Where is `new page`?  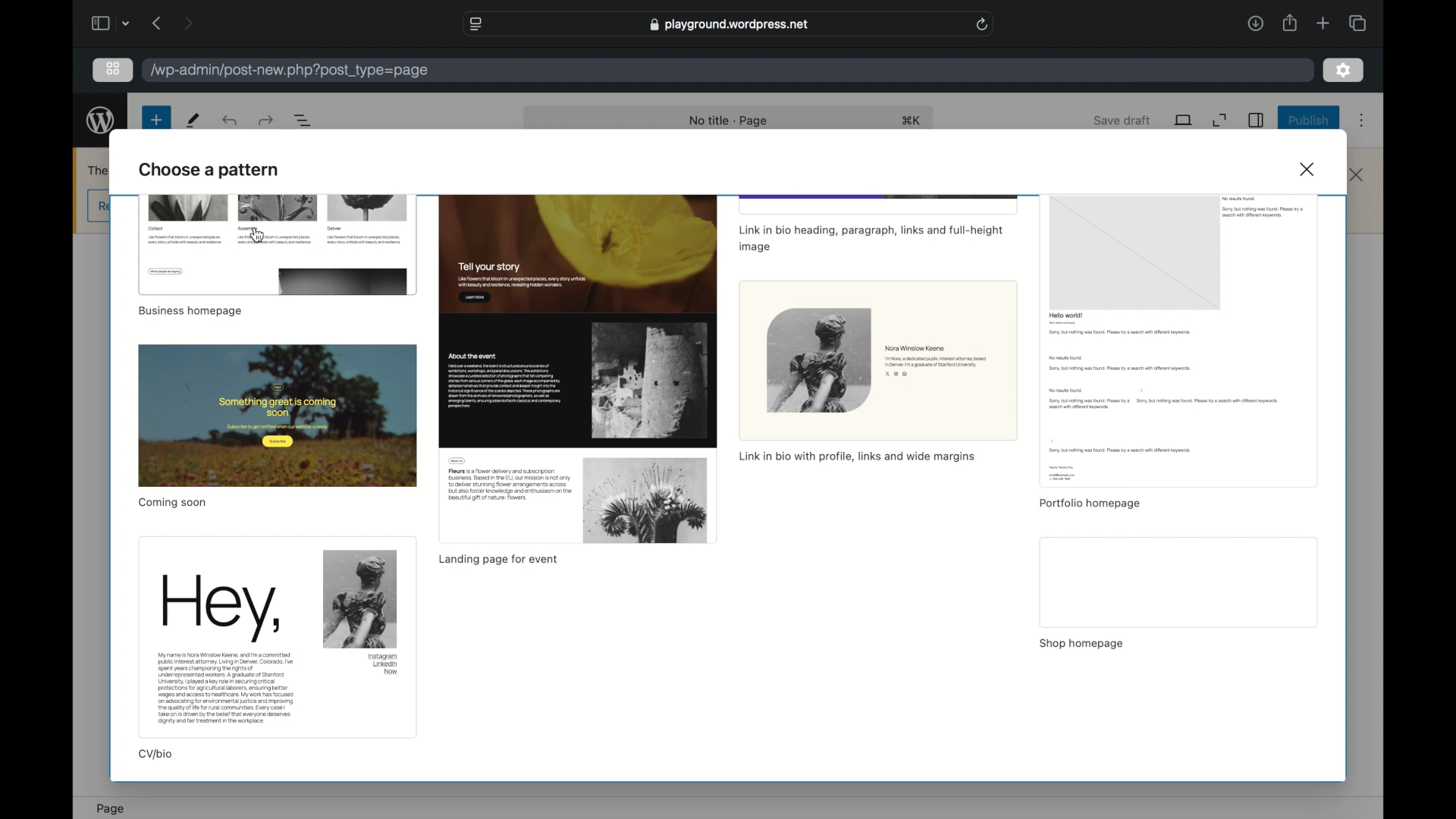 new page is located at coordinates (194, 121).